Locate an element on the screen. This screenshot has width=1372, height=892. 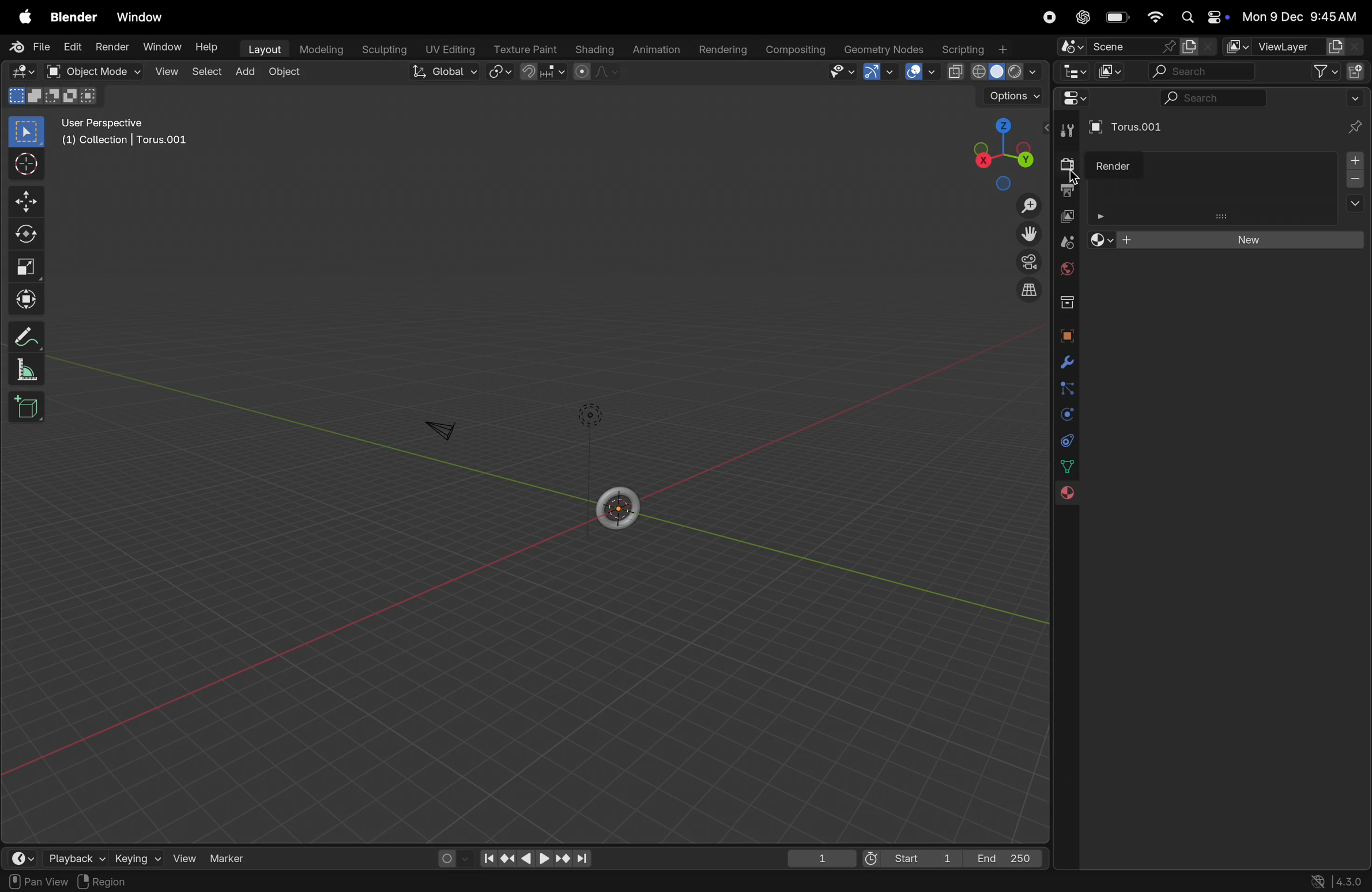
record is located at coordinates (1046, 18).